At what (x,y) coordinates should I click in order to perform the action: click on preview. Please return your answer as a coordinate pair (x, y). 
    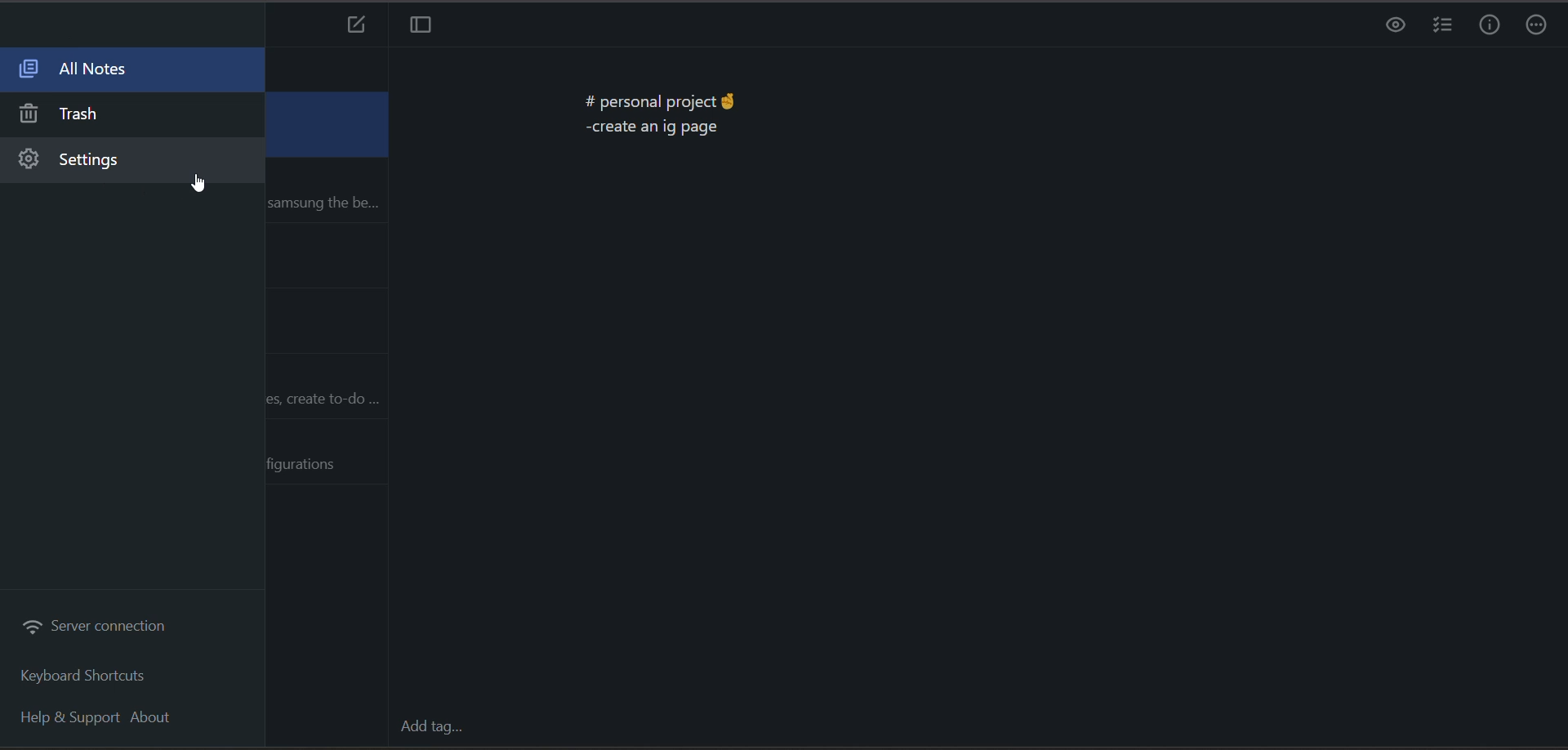
    Looking at the image, I should click on (1391, 26).